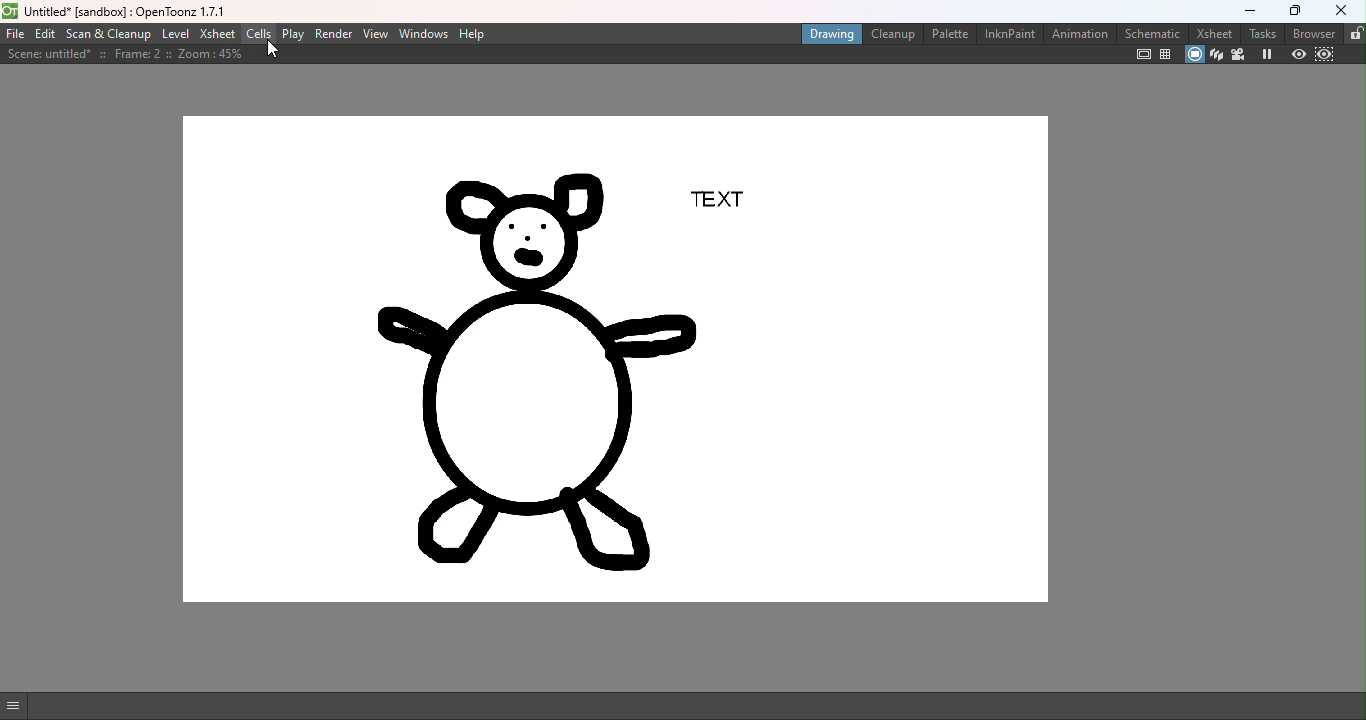 The image size is (1366, 720). What do you see at coordinates (1353, 33) in the screenshot?
I see `lock rooms tab` at bounding box center [1353, 33].